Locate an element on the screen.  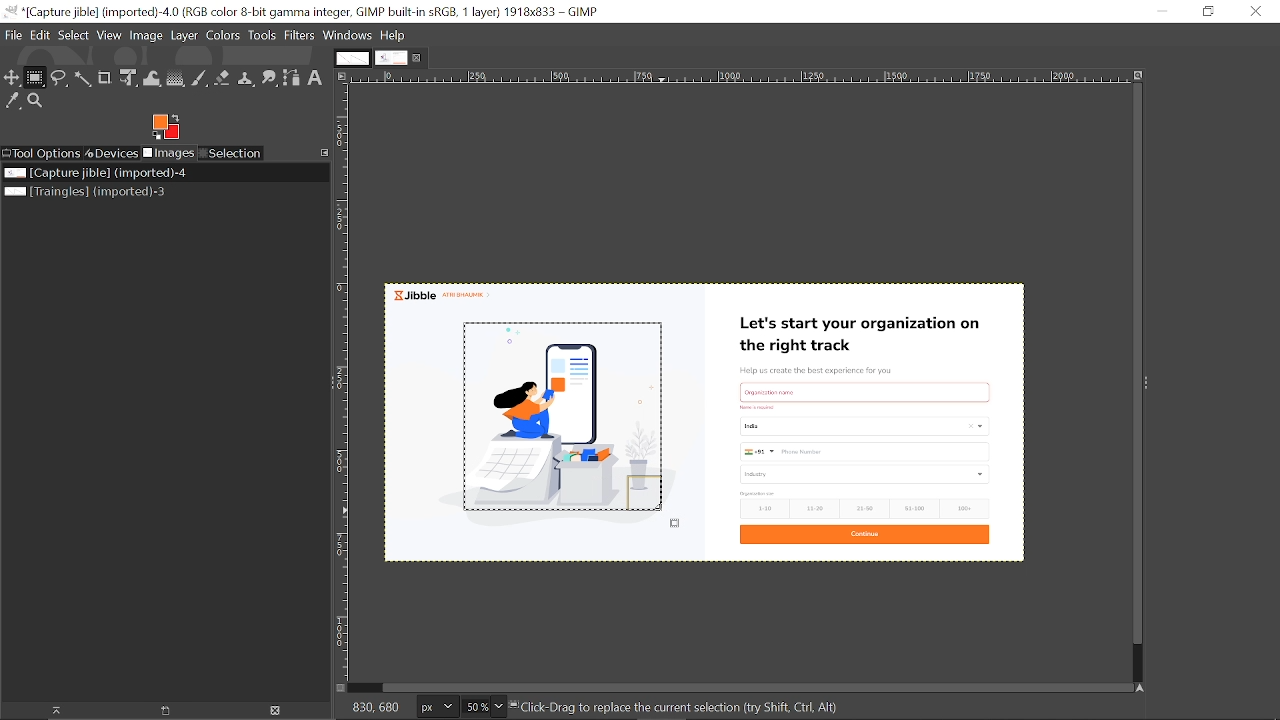
Selection is located at coordinates (233, 154).